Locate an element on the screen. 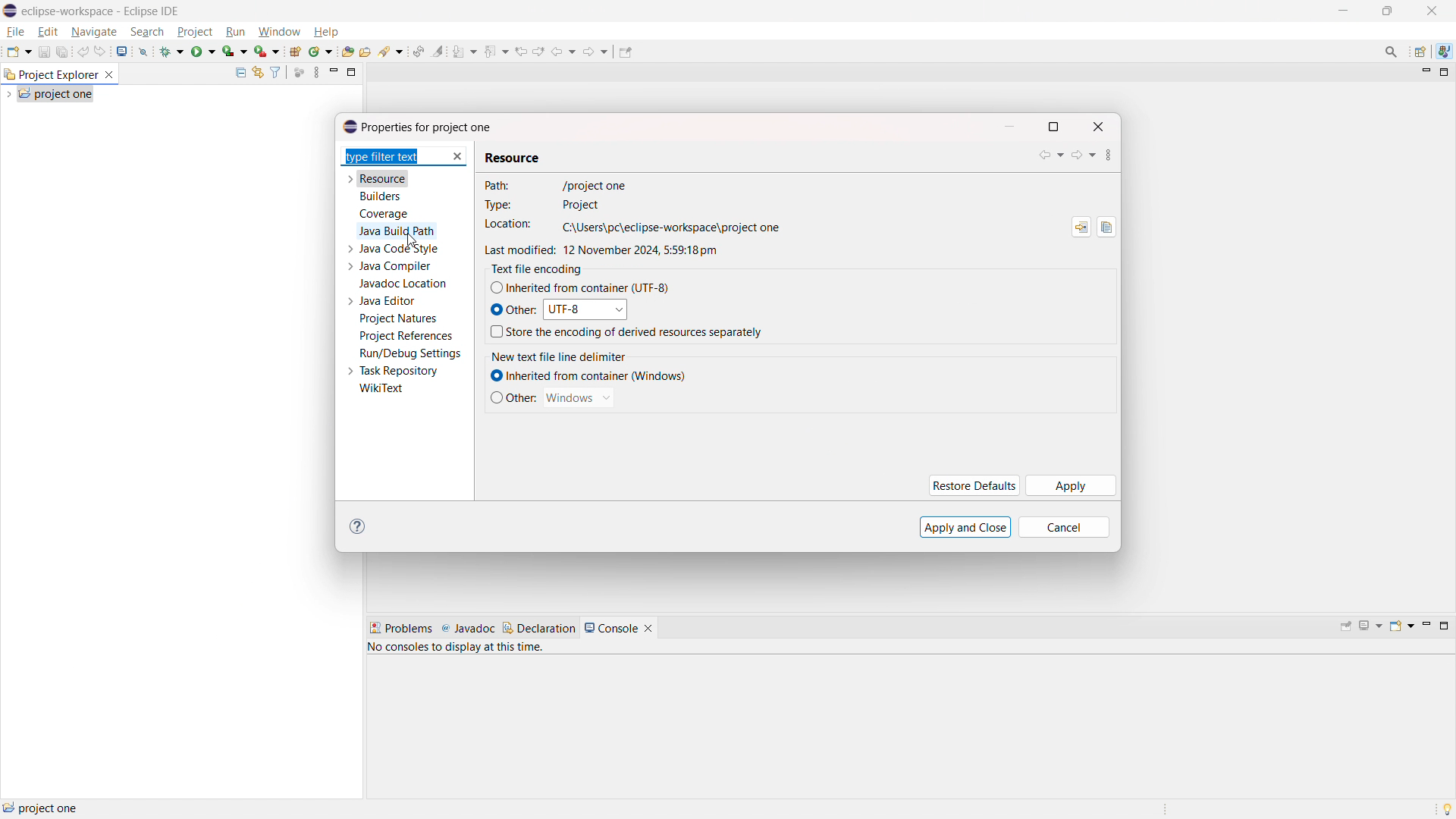 This screenshot has height=819, width=1456. problems is located at coordinates (400, 629).